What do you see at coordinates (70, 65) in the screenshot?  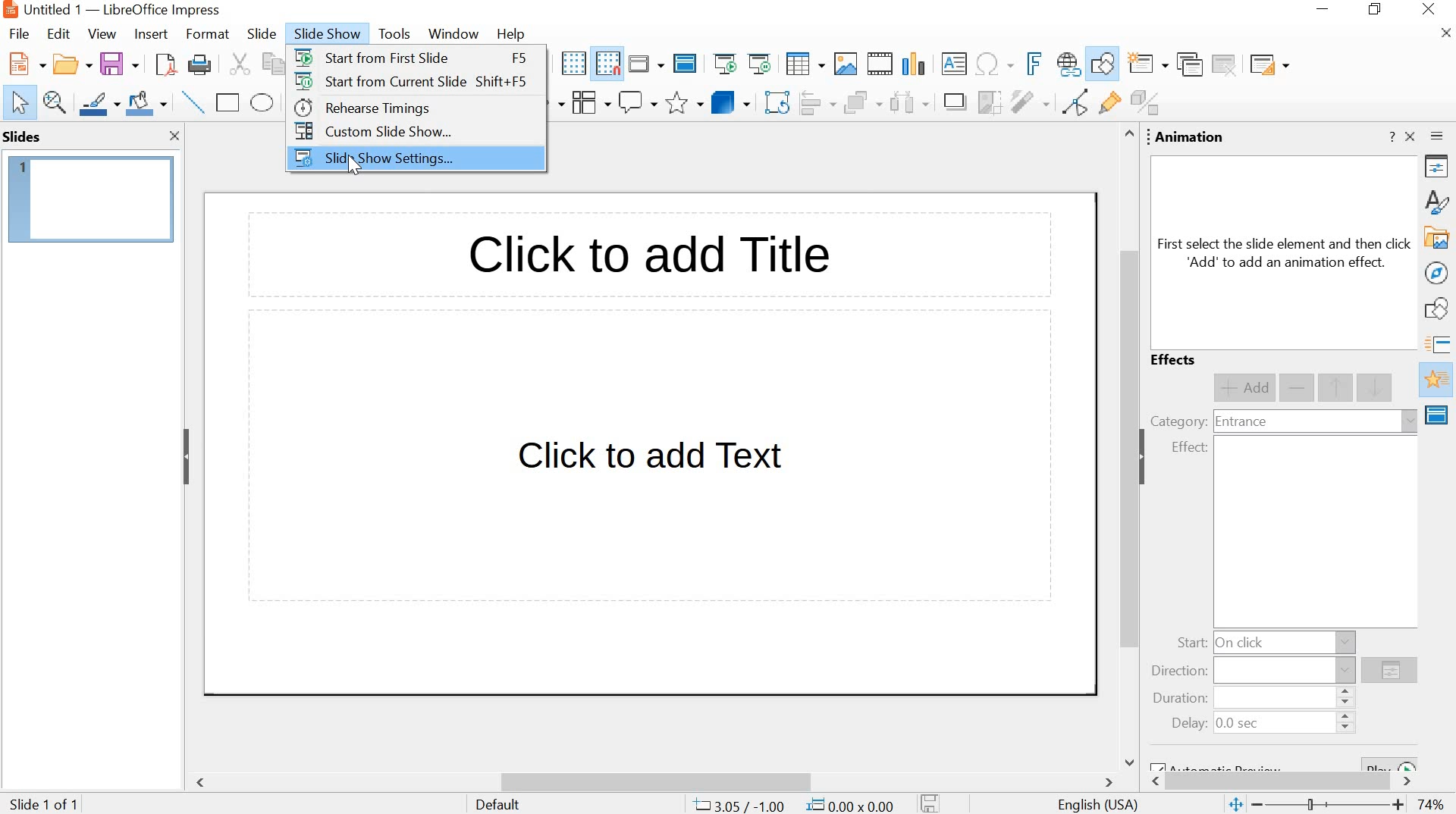 I see `open` at bounding box center [70, 65].